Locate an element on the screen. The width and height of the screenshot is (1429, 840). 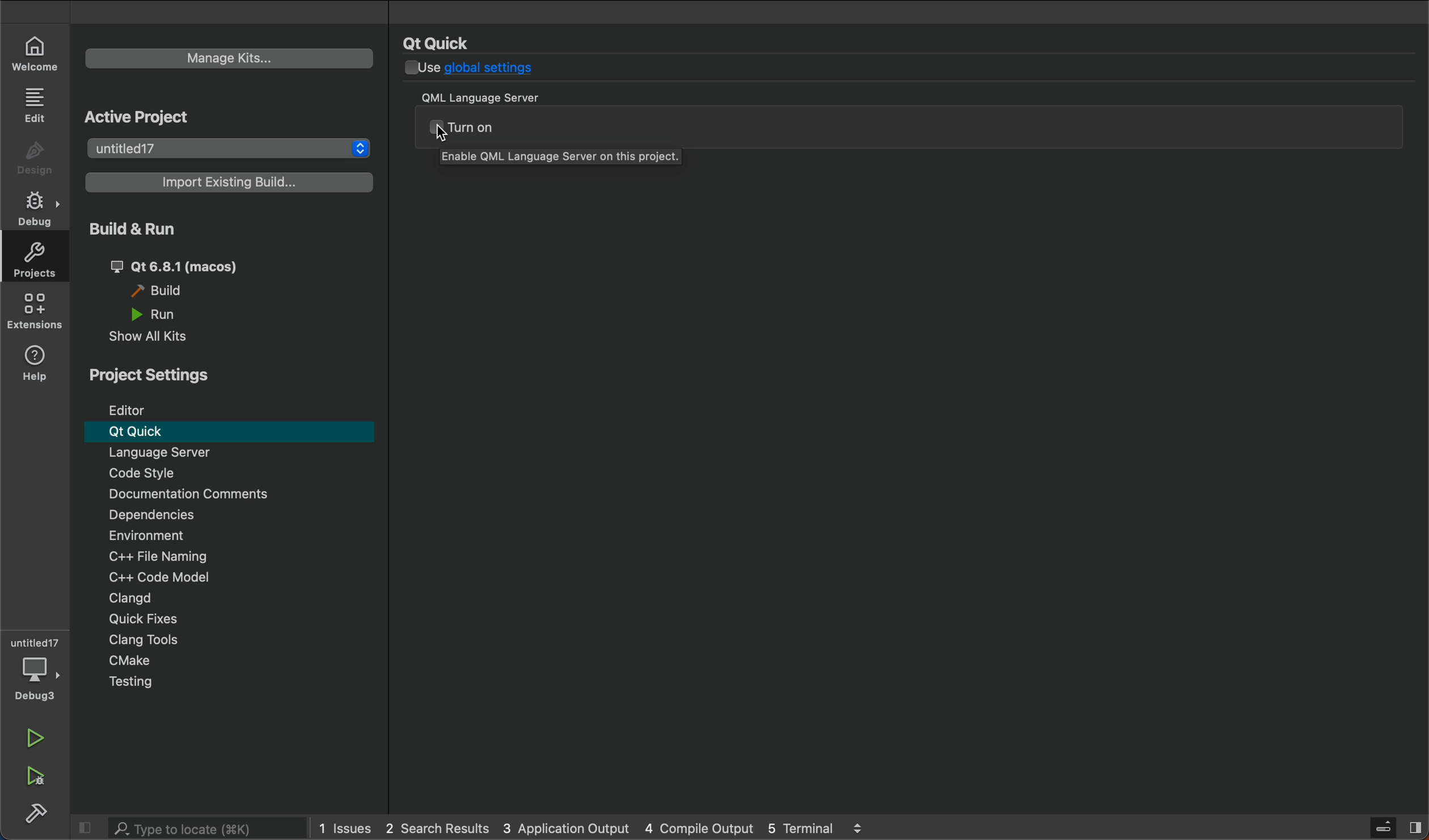
 is located at coordinates (232, 454).